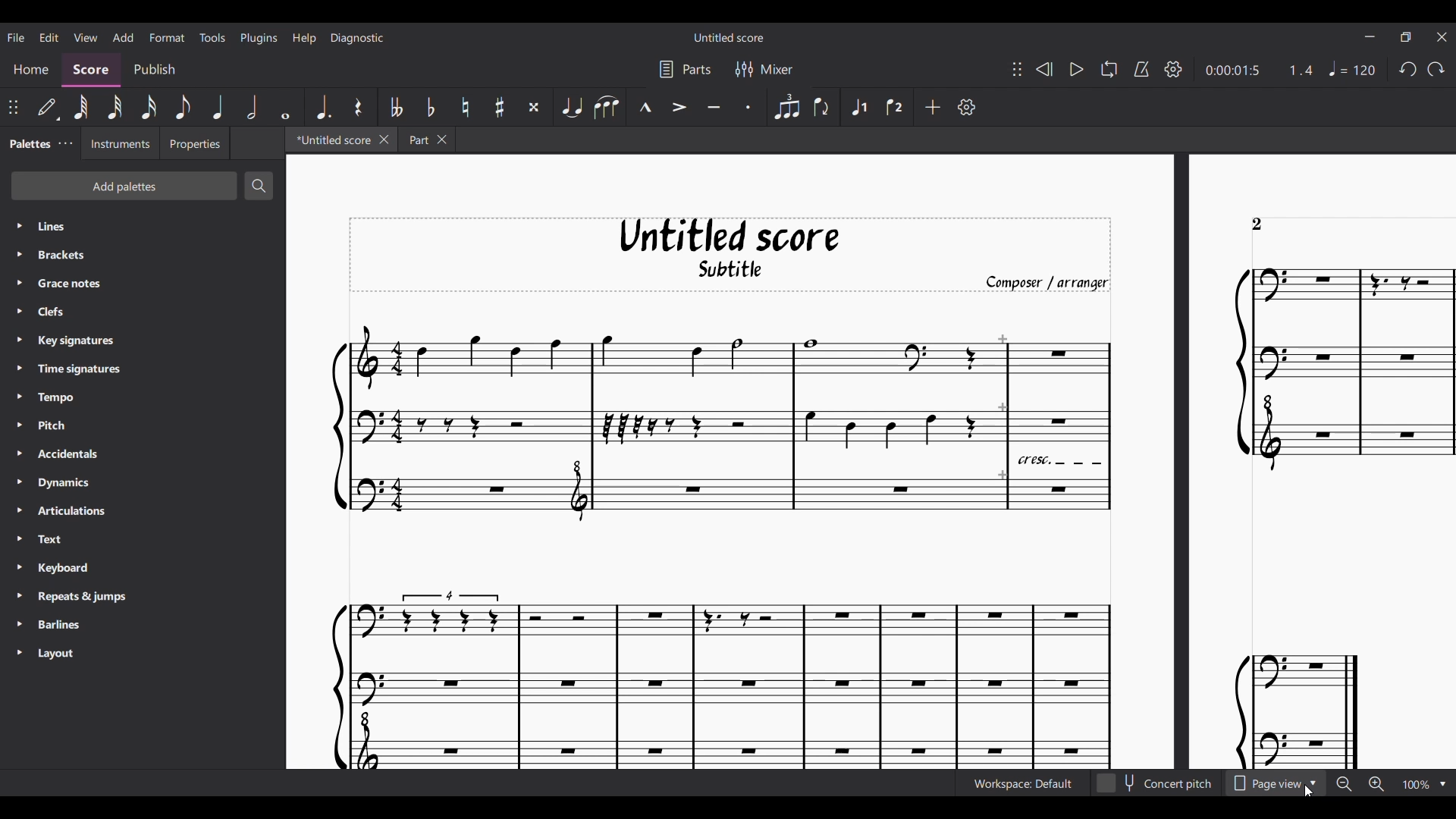  Describe the element at coordinates (86, 36) in the screenshot. I see `View menu` at that location.